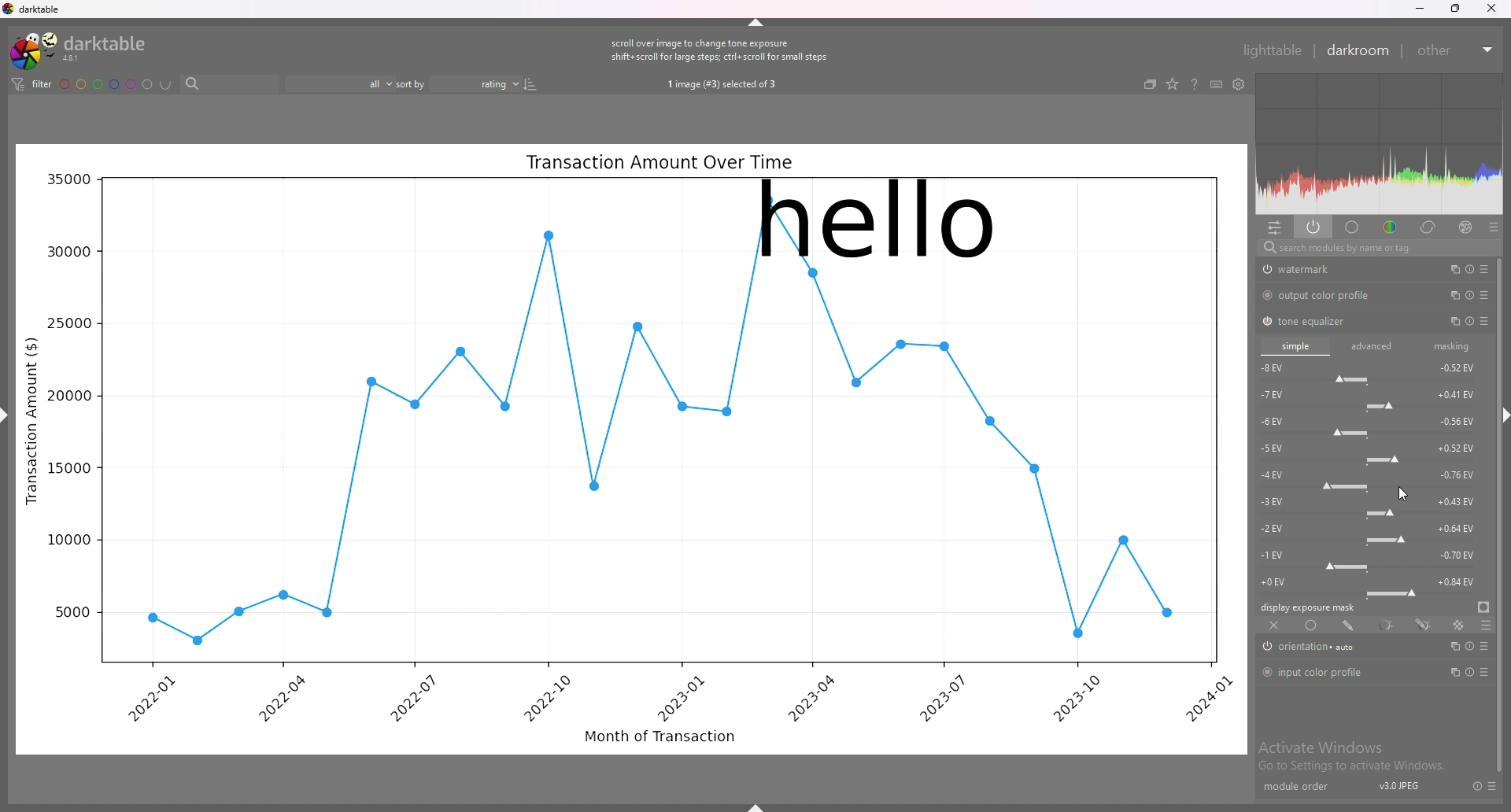 This screenshot has width=1511, height=812. Describe the element at coordinates (281, 698) in the screenshot. I see `2022-04` at that location.